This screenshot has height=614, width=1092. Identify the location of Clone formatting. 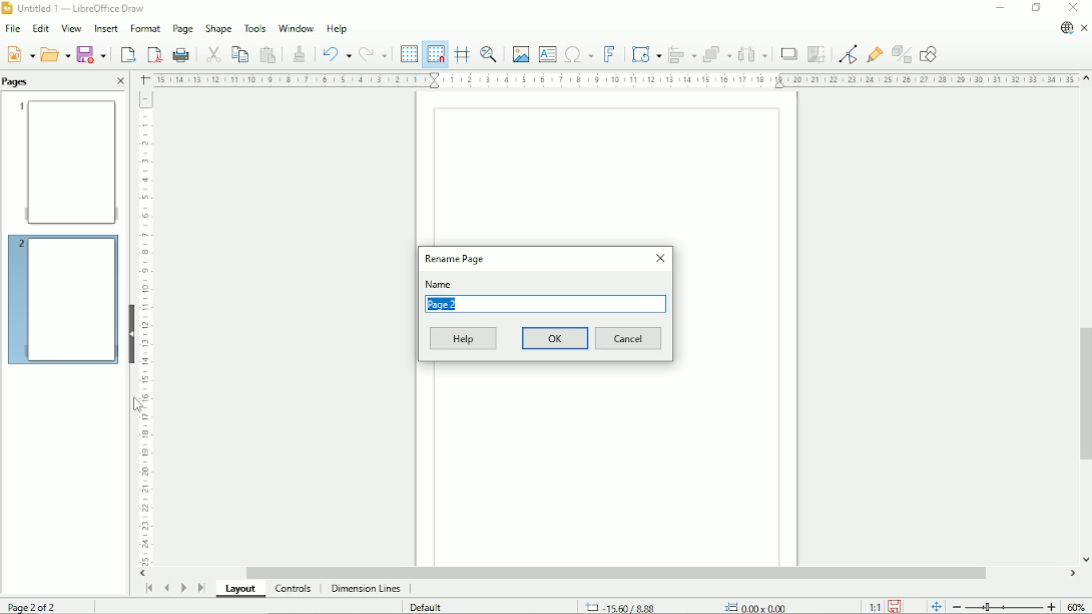
(299, 52).